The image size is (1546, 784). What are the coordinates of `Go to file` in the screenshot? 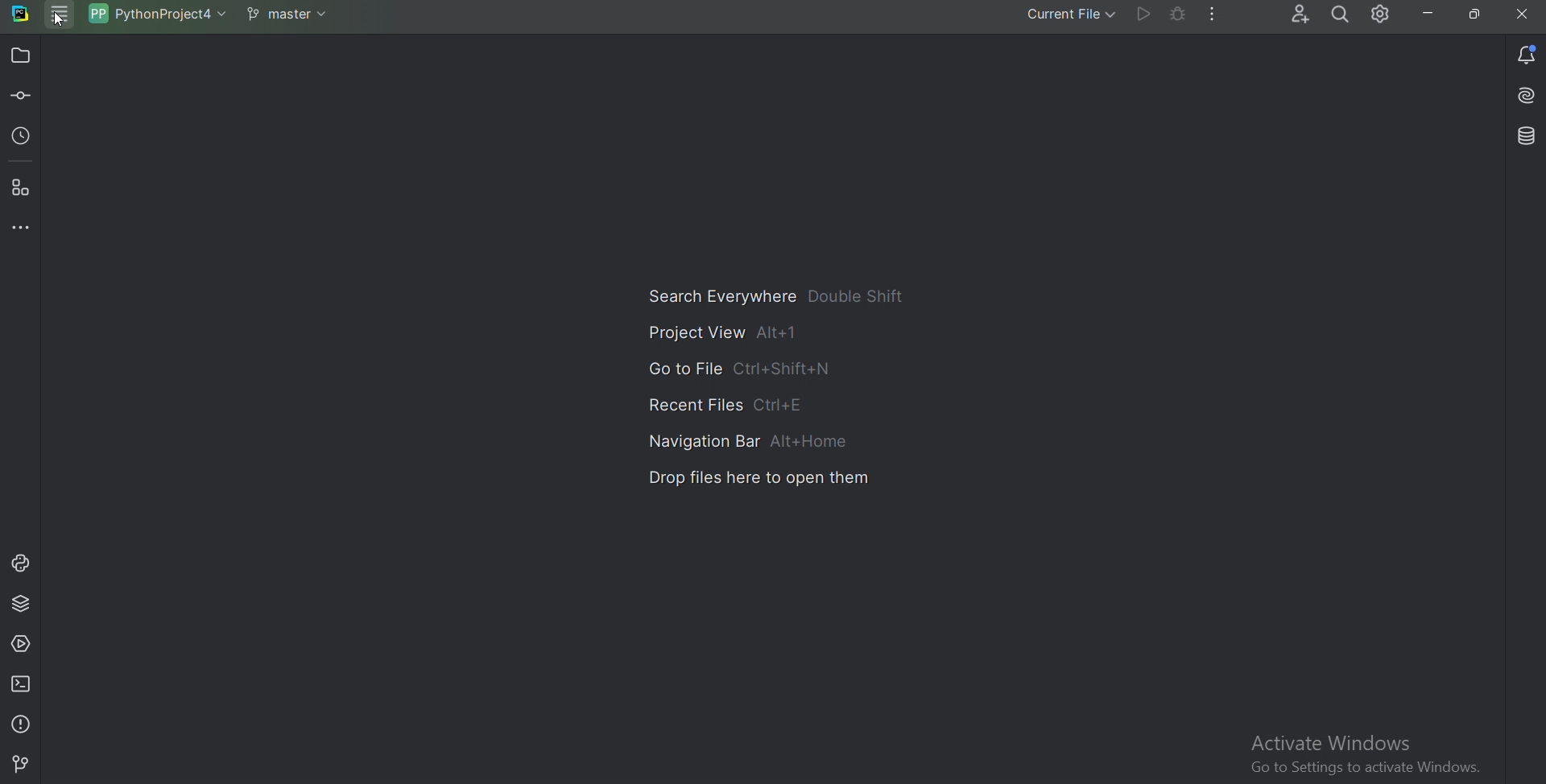 It's located at (734, 367).